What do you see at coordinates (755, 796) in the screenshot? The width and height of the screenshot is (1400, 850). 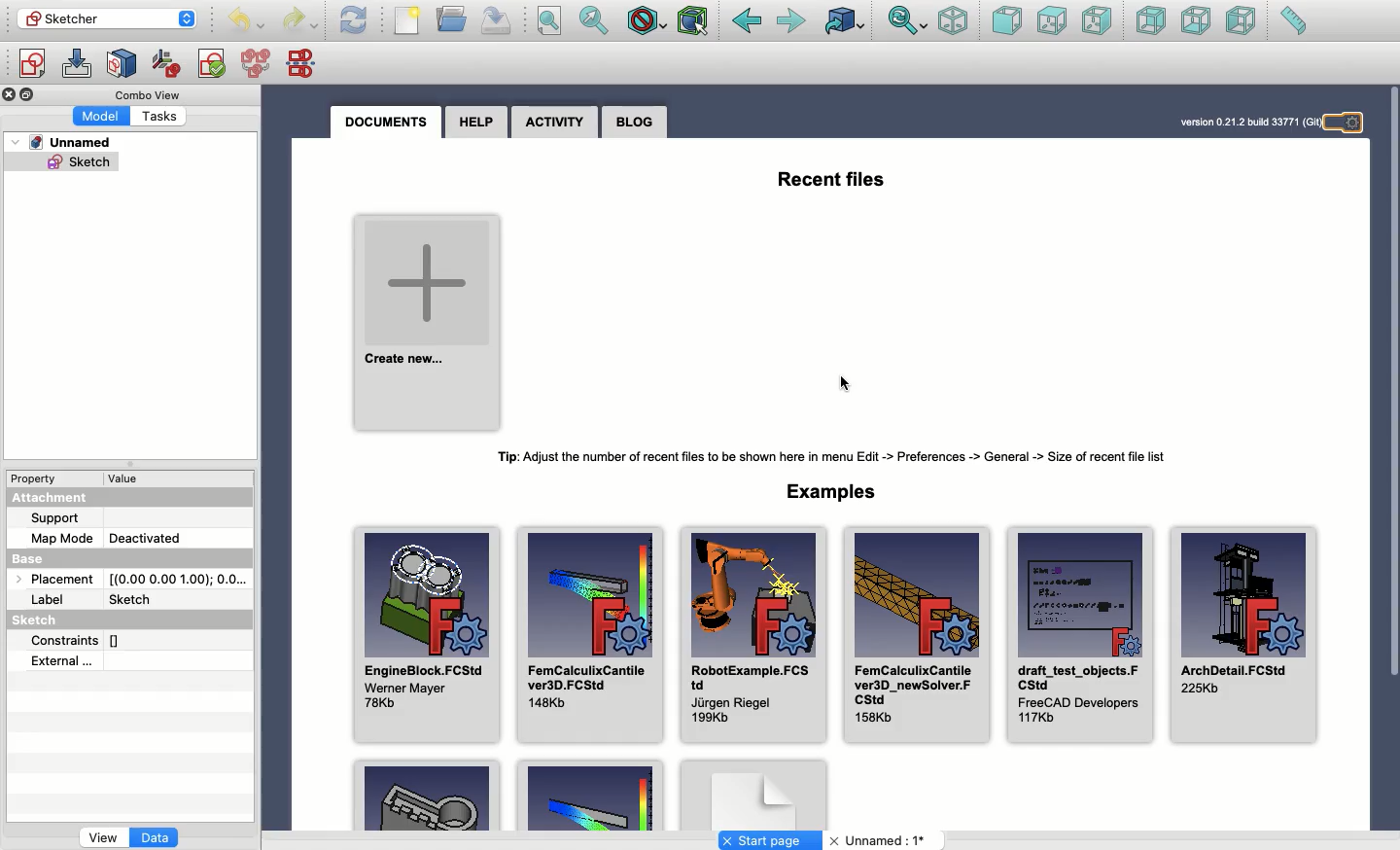 I see `Example 3` at bounding box center [755, 796].